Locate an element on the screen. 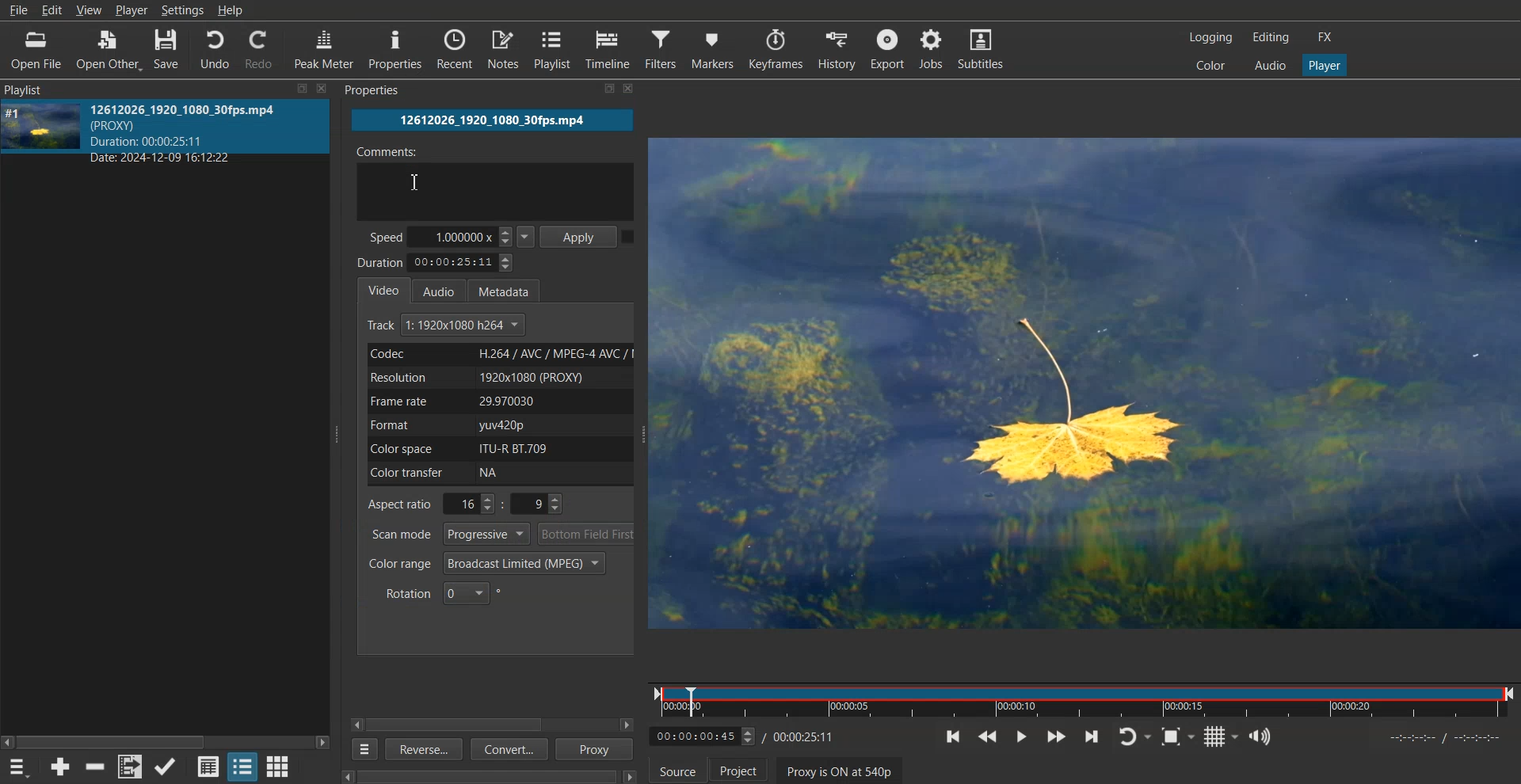  Markers is located at coordinates (713, 48).